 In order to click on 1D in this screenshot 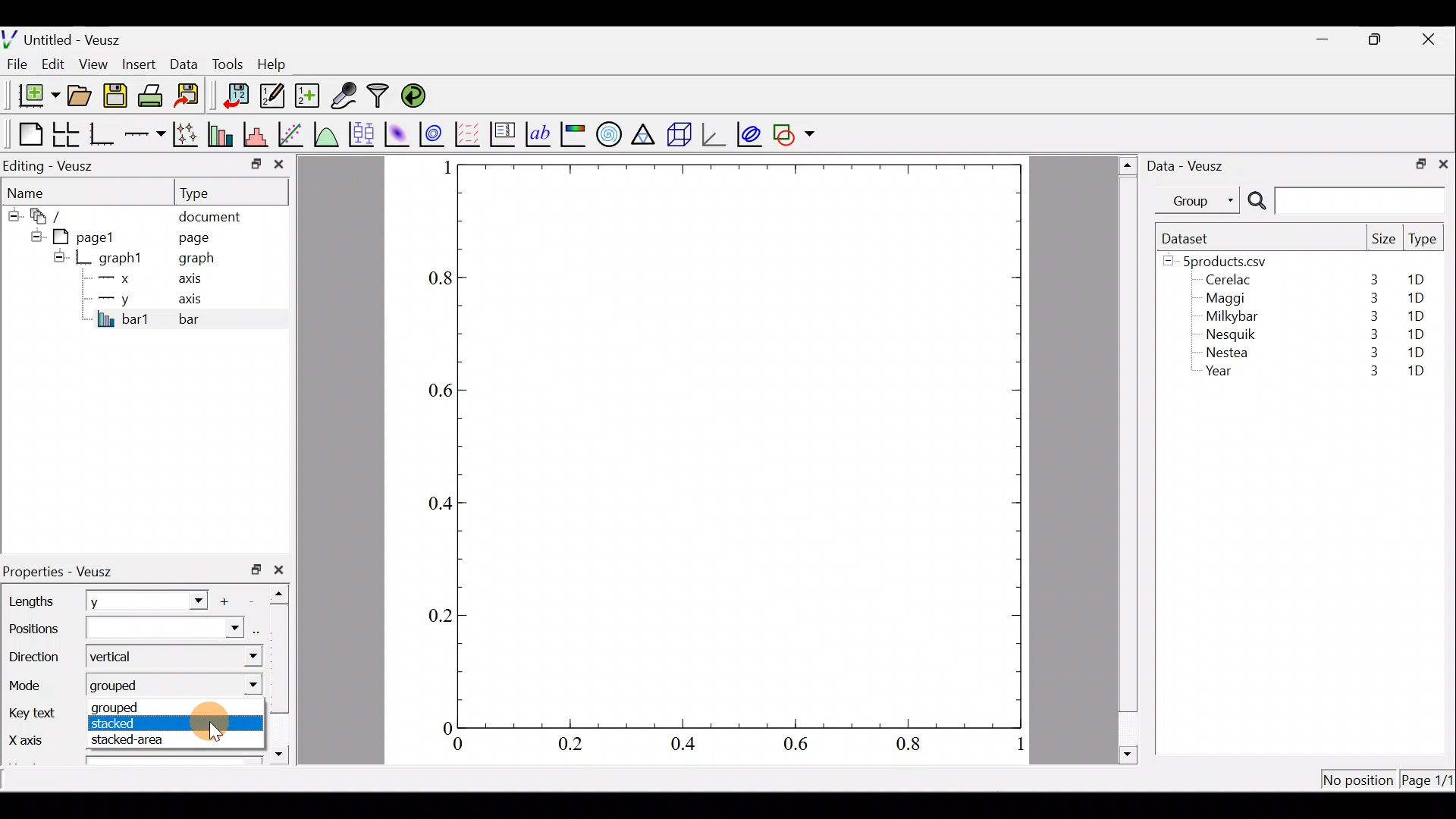, I will do `click(1412, 315)`.